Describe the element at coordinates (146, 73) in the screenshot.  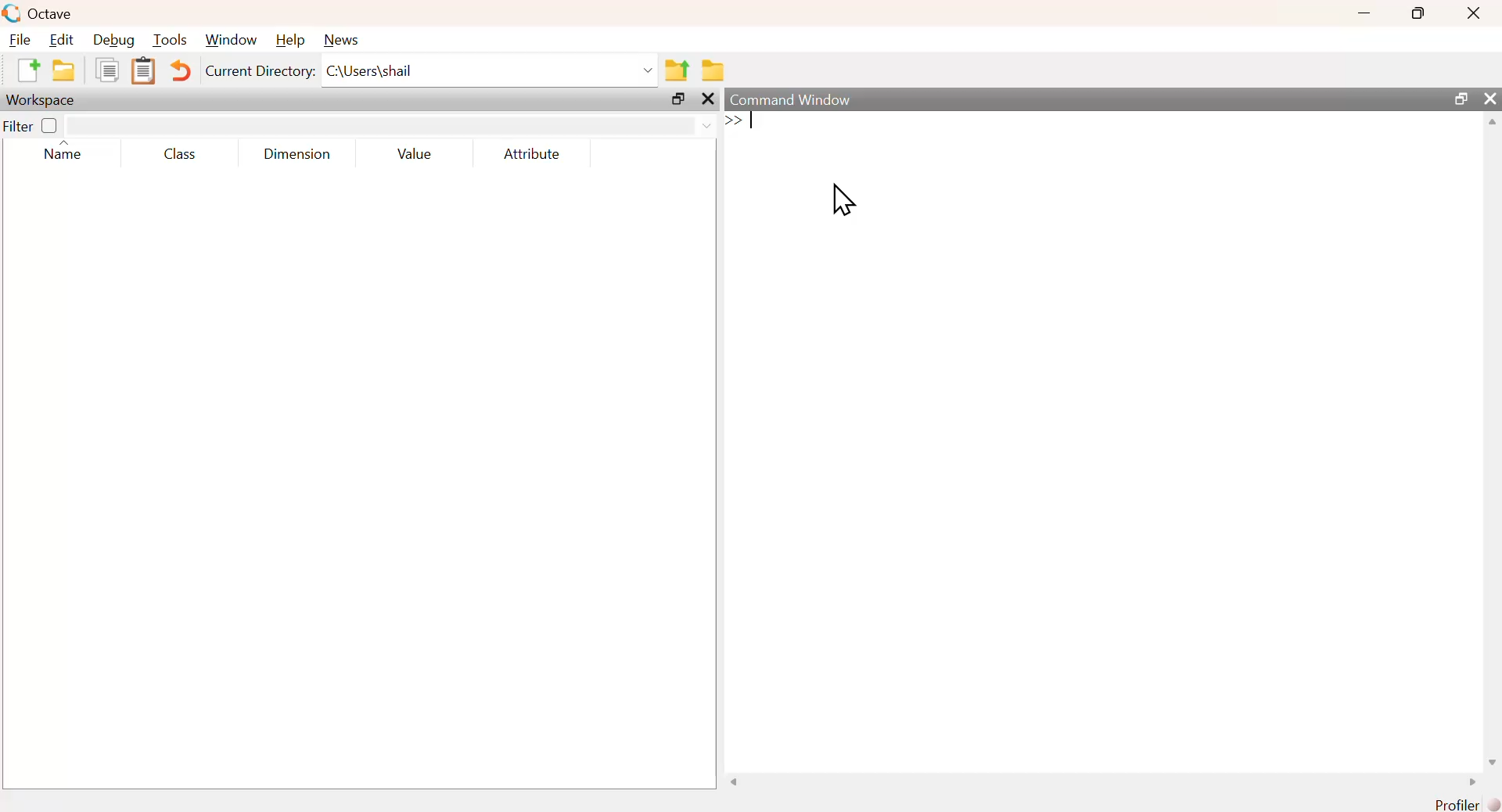
I see `paste` at that location.